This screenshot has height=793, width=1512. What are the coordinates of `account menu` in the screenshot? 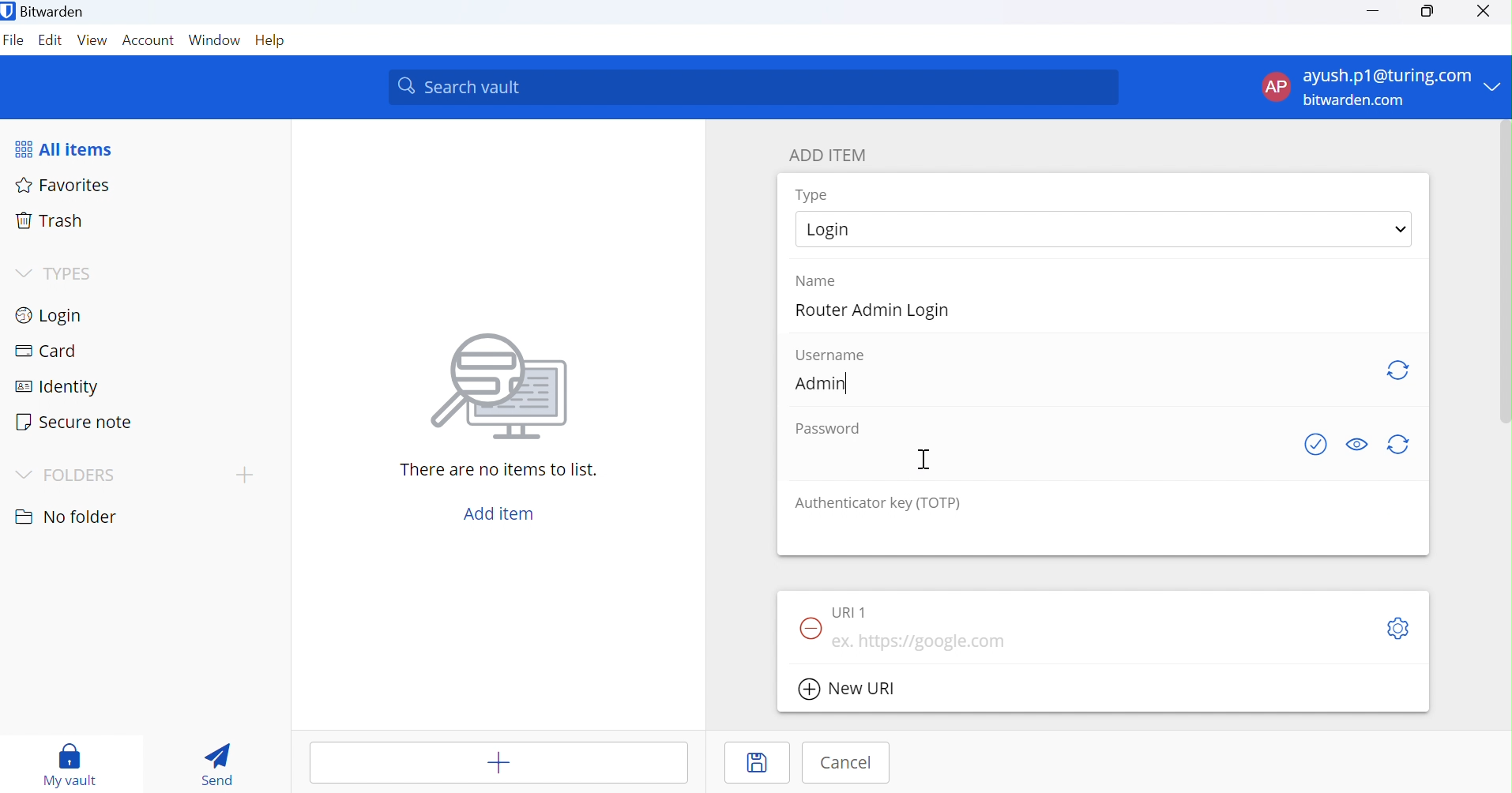 It's located at (1380, 88).